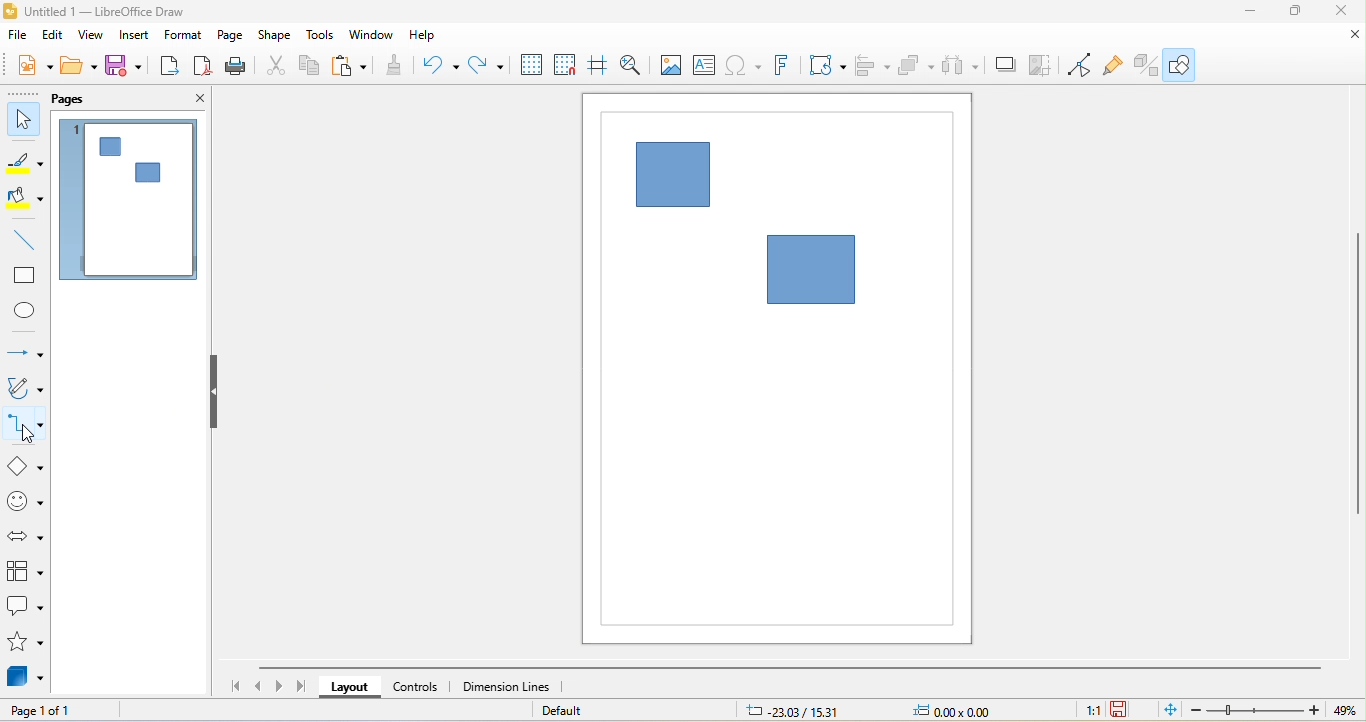 The height and width of the screenshot is (722, 1366). What do you see at coordinates (34, 67) in the screenshot?
I see `new` at bounding box center [34, 67].